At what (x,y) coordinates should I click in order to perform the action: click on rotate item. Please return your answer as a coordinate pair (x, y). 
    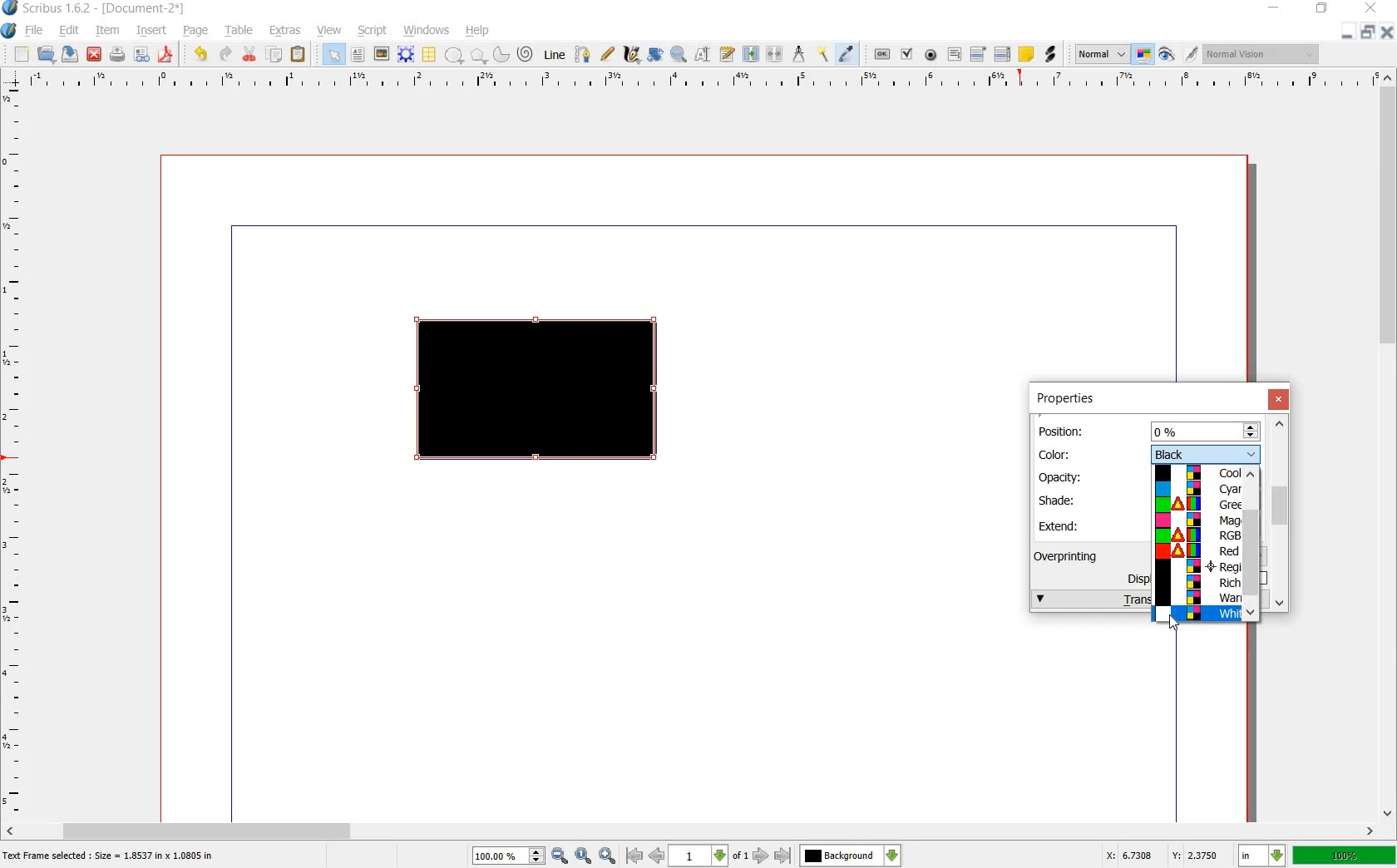
    Looking at the image, I should click on (656, 55).